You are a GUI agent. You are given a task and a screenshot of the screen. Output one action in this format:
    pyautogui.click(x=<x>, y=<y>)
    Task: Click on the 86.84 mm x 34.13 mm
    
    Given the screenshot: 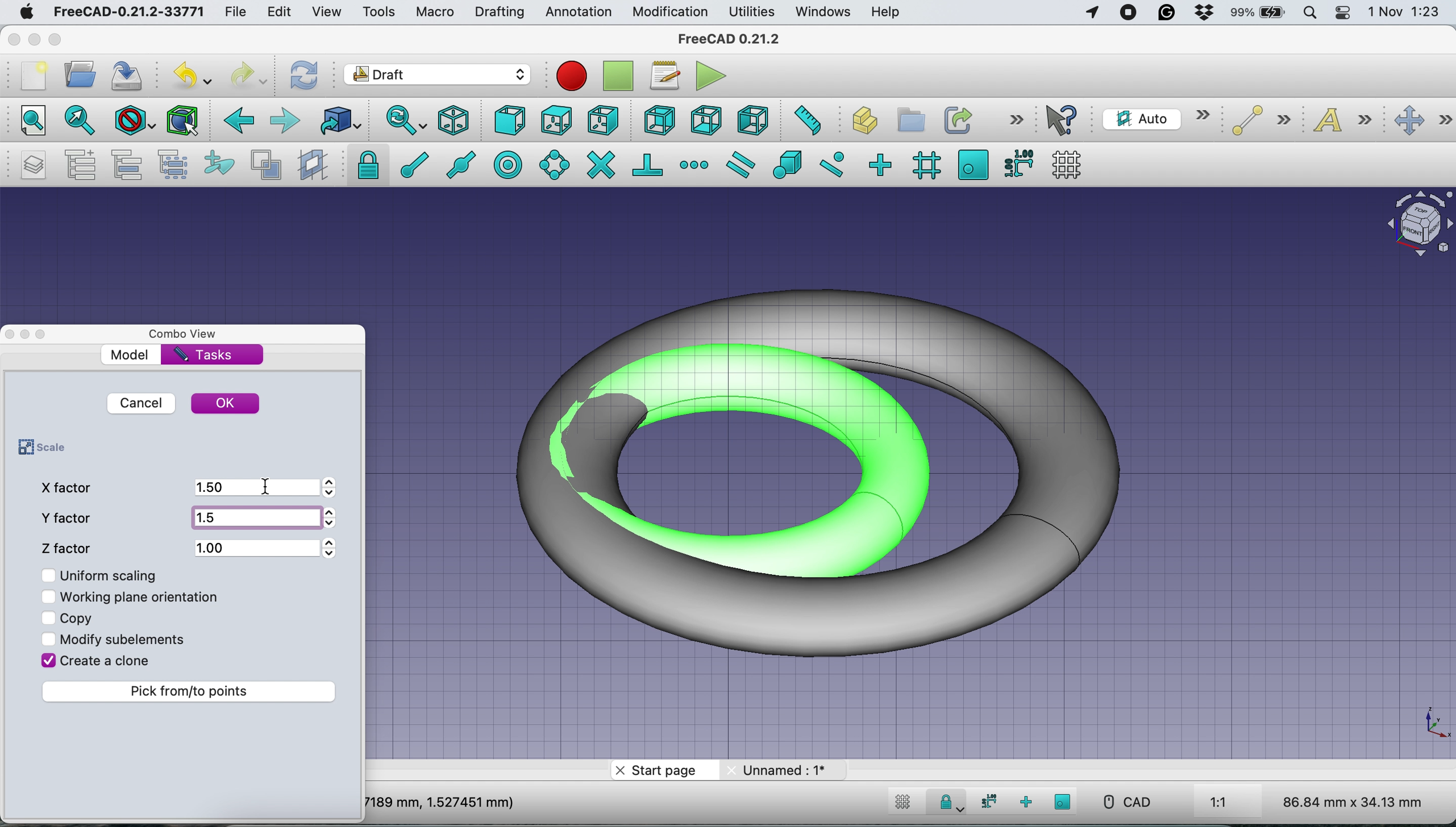 What is the action you would take?
    pyautogui.click(x=1354, y=801)
    